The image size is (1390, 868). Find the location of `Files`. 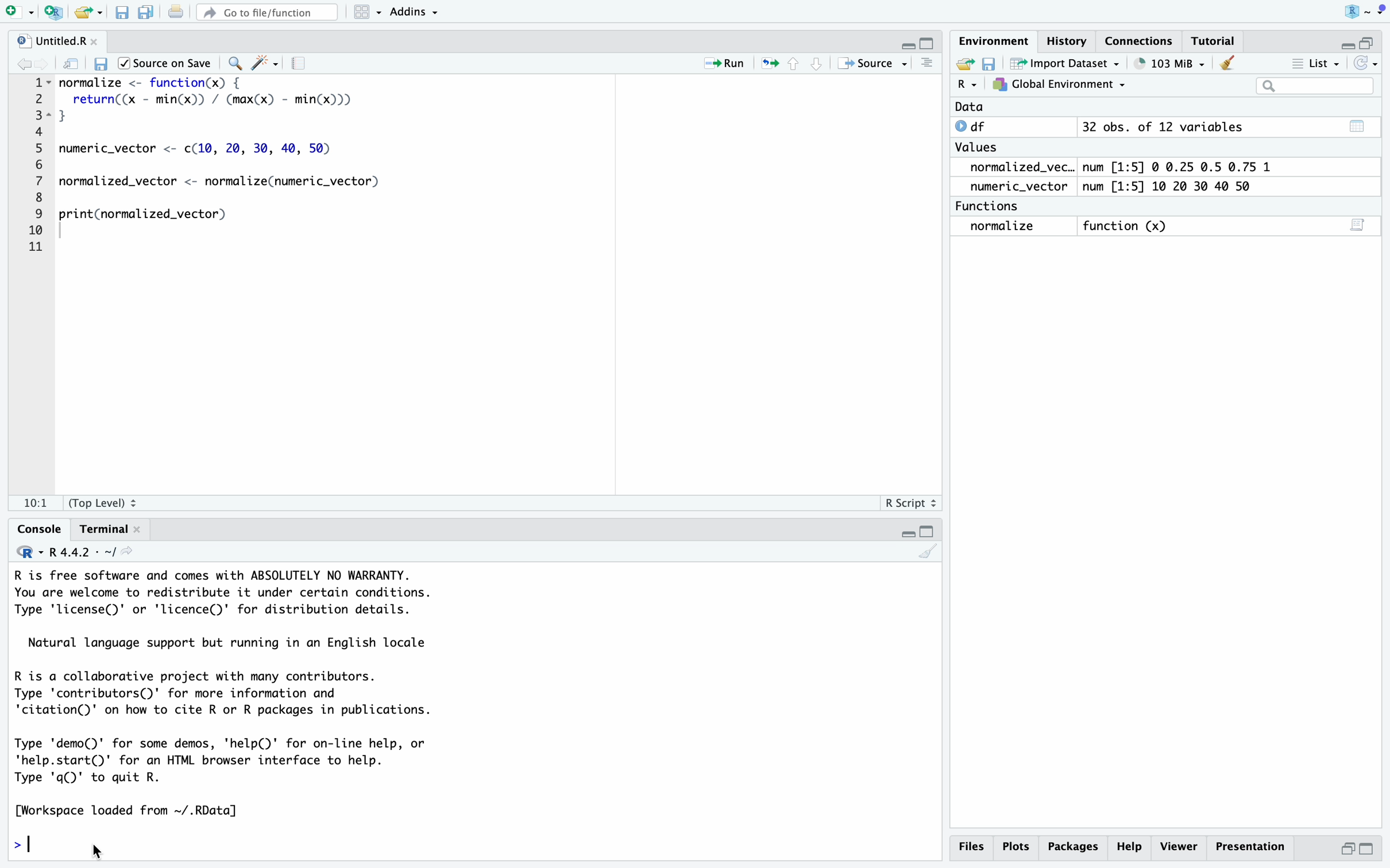

Files is located at coordinates (971, 846).